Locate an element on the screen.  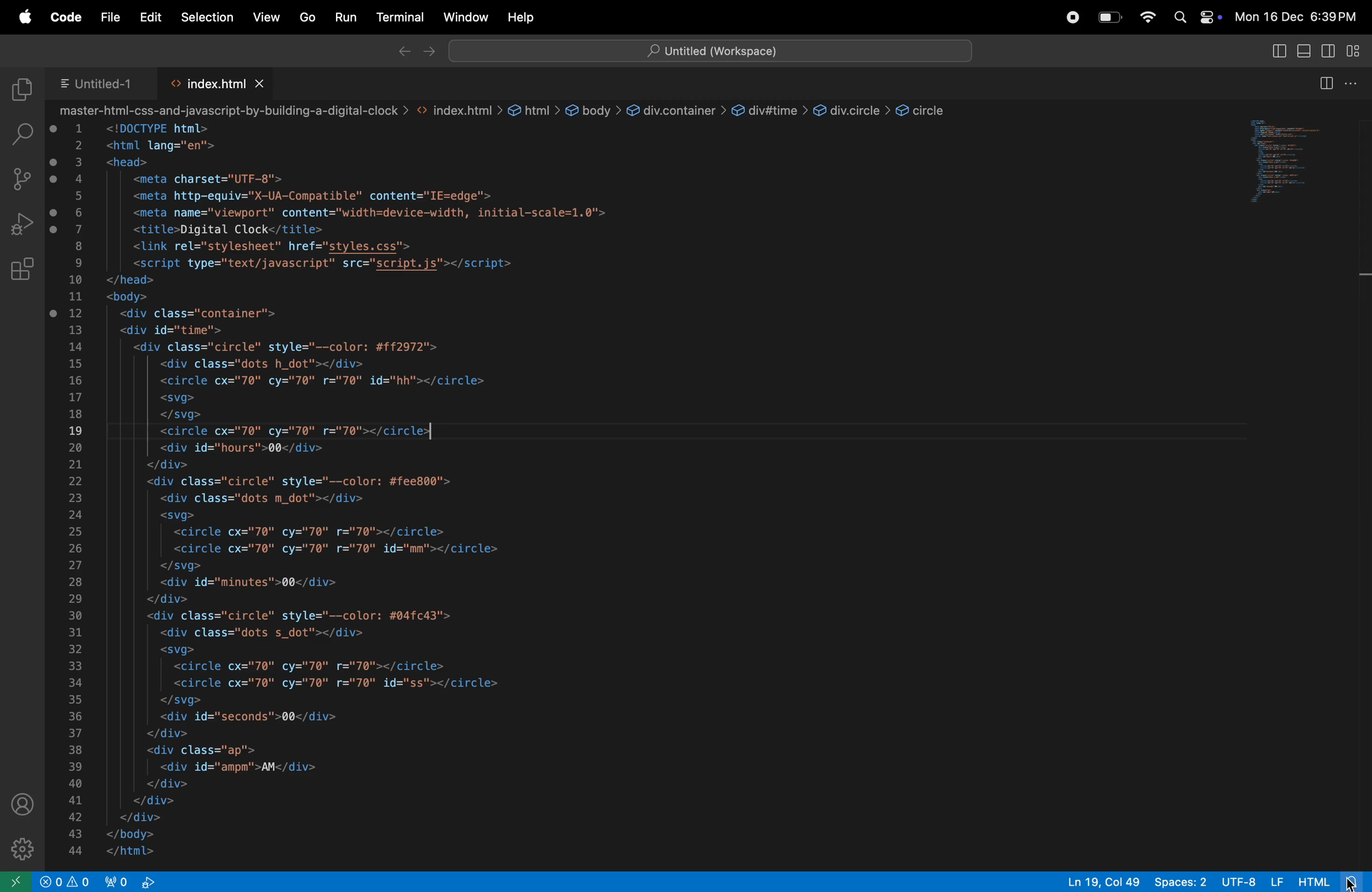
space 2 is located at coordinates (1179, 881).